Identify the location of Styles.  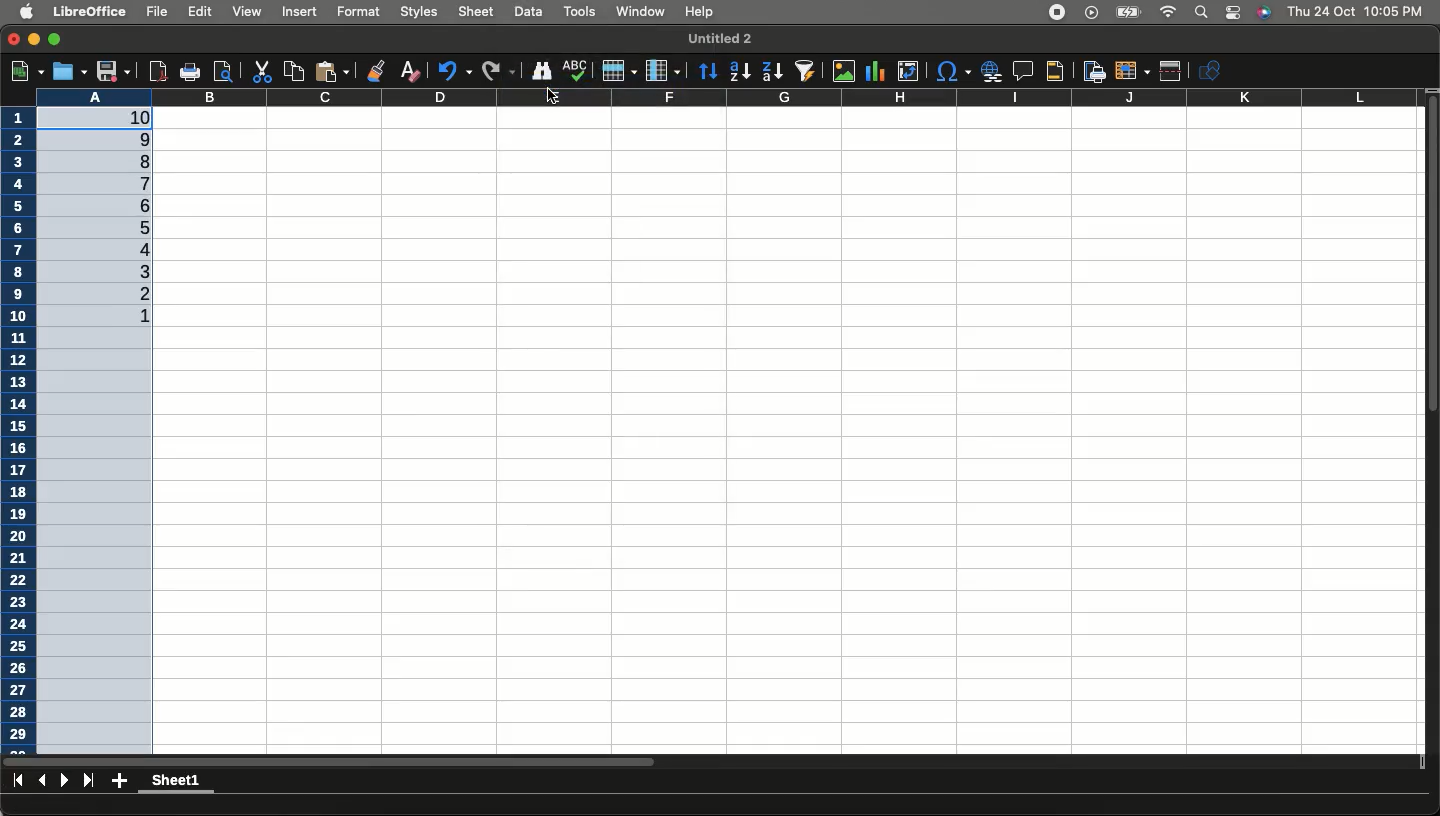
(420, 13).